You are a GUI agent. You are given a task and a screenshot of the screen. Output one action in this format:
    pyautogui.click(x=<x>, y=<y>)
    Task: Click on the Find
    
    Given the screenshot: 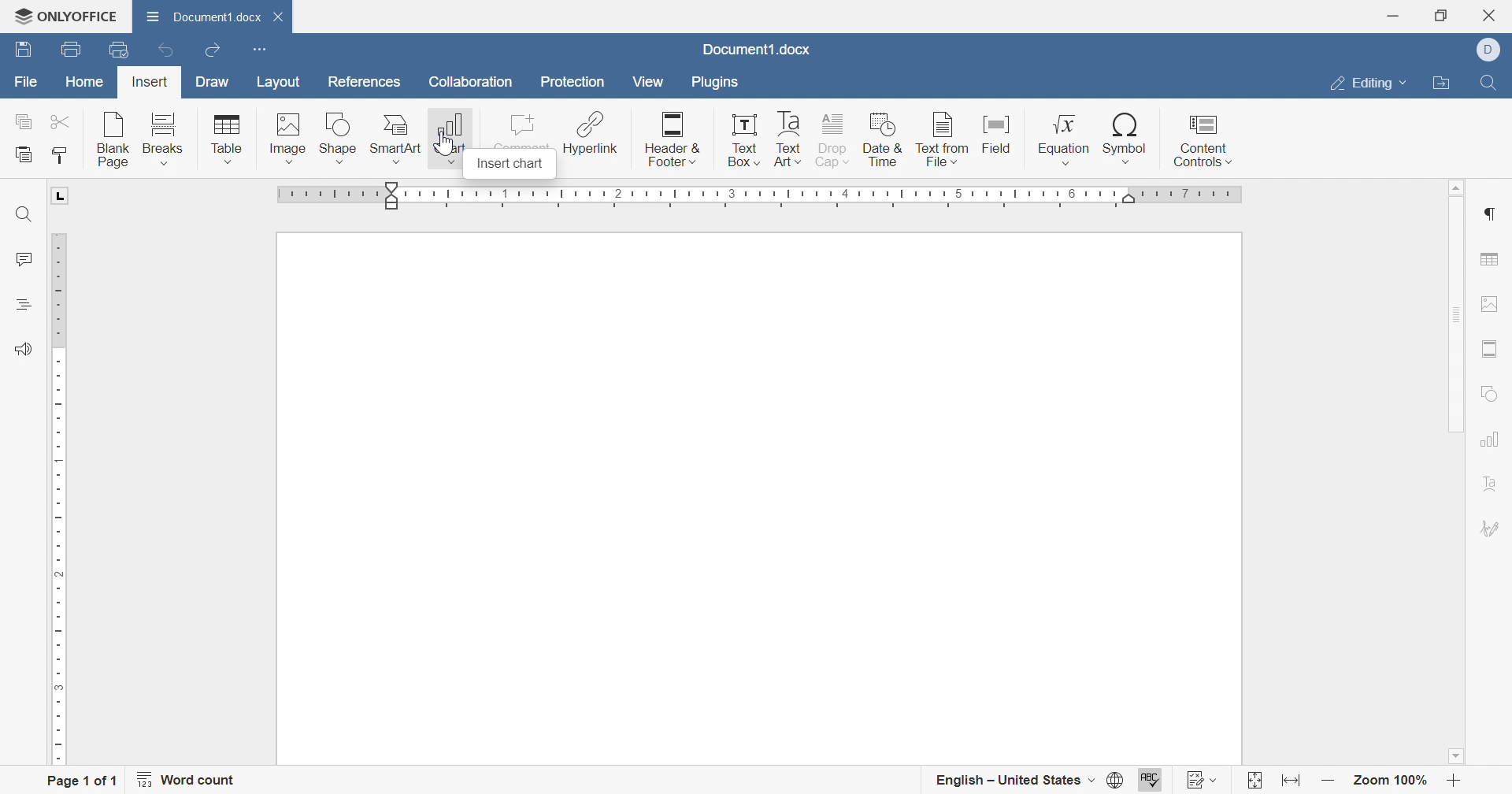 What is the action you would take?
    pyautogui.click(x=24, y=214)
    